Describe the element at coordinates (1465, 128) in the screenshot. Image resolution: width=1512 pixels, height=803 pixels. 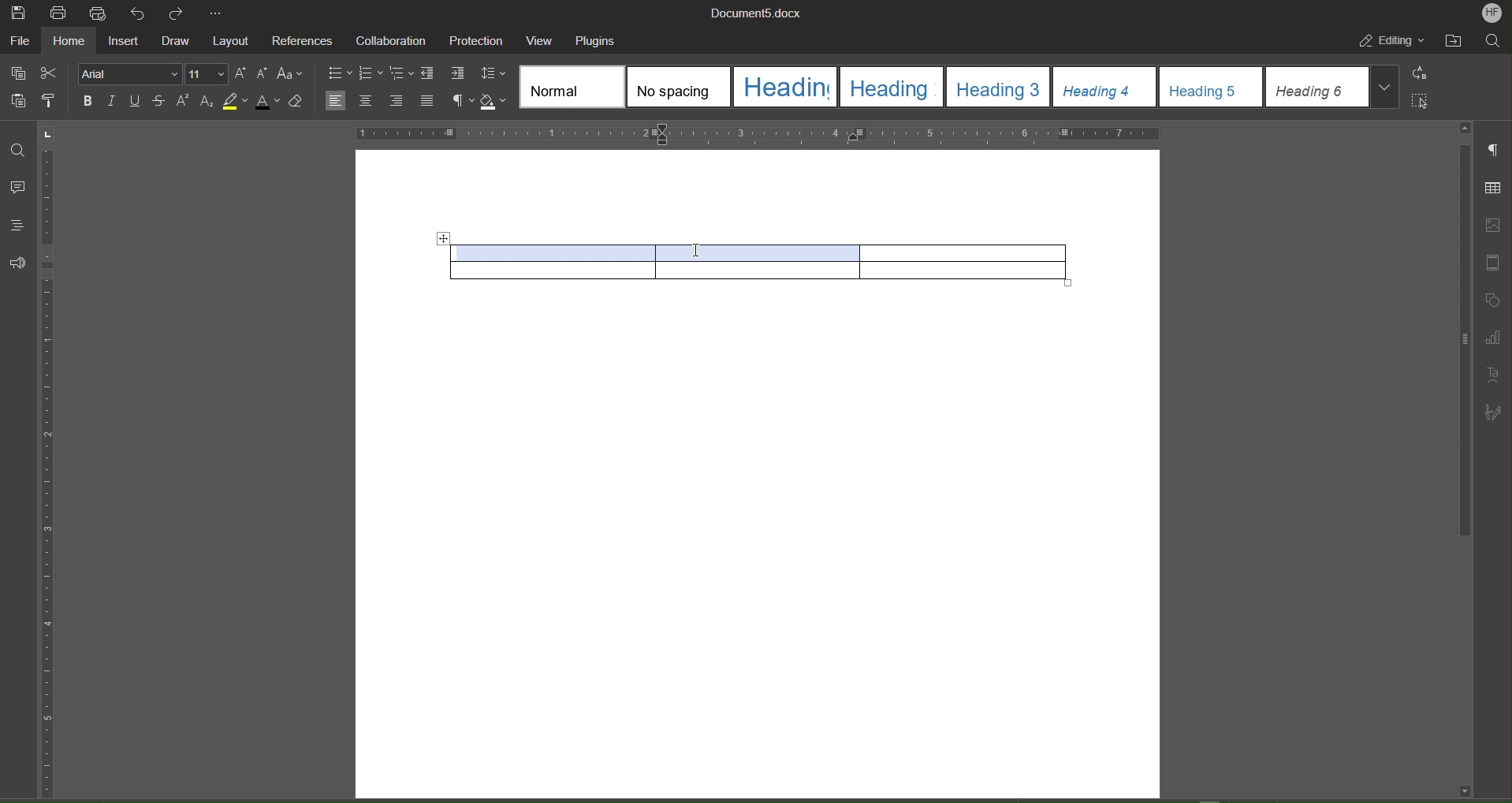
I see `scroll up` at that location.